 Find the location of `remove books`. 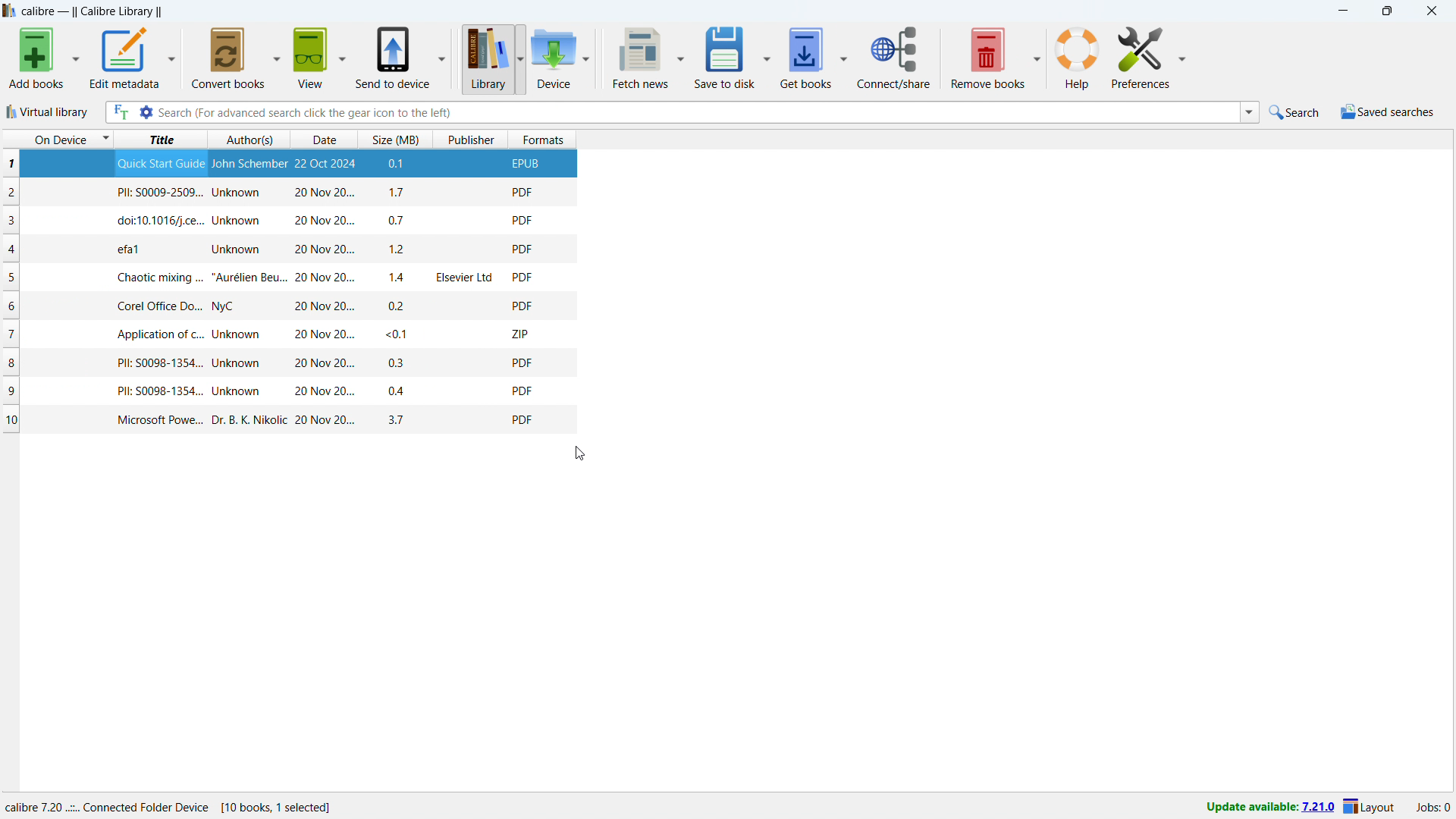

remove books is located at coordinates (984, 58).